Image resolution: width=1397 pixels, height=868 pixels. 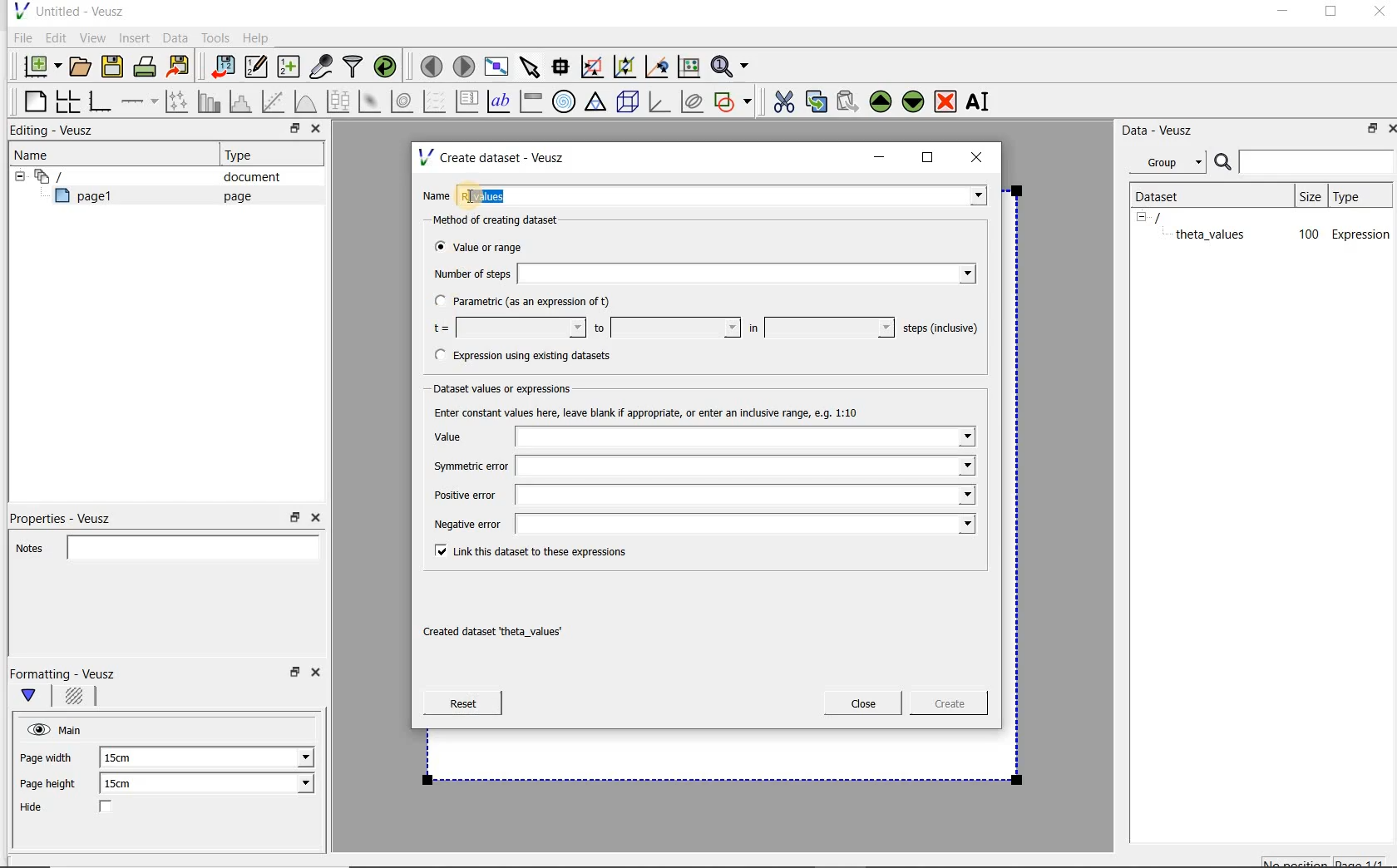 I want to click on Close, so click(x=863, y=703).